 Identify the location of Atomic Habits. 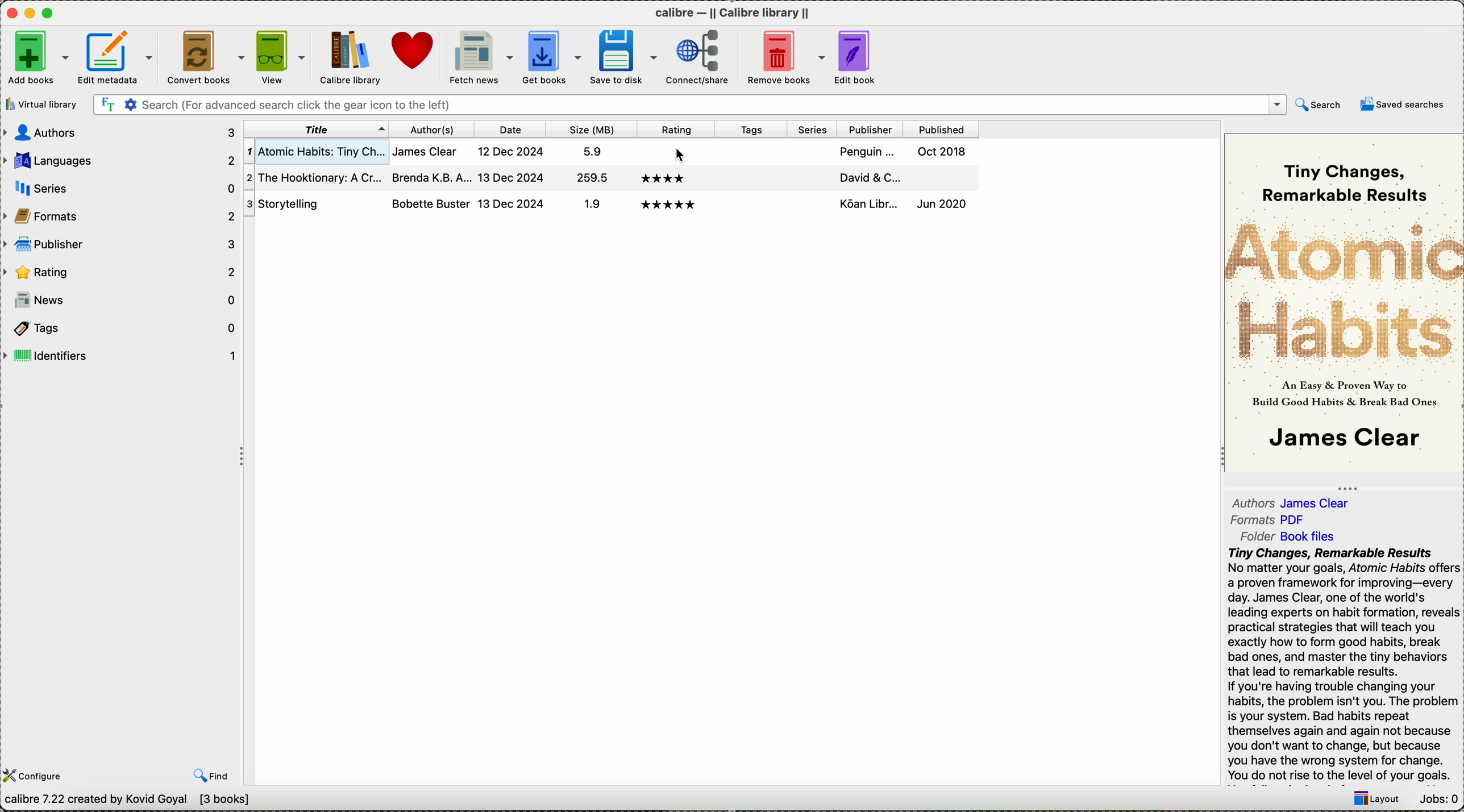
(1343, 287).